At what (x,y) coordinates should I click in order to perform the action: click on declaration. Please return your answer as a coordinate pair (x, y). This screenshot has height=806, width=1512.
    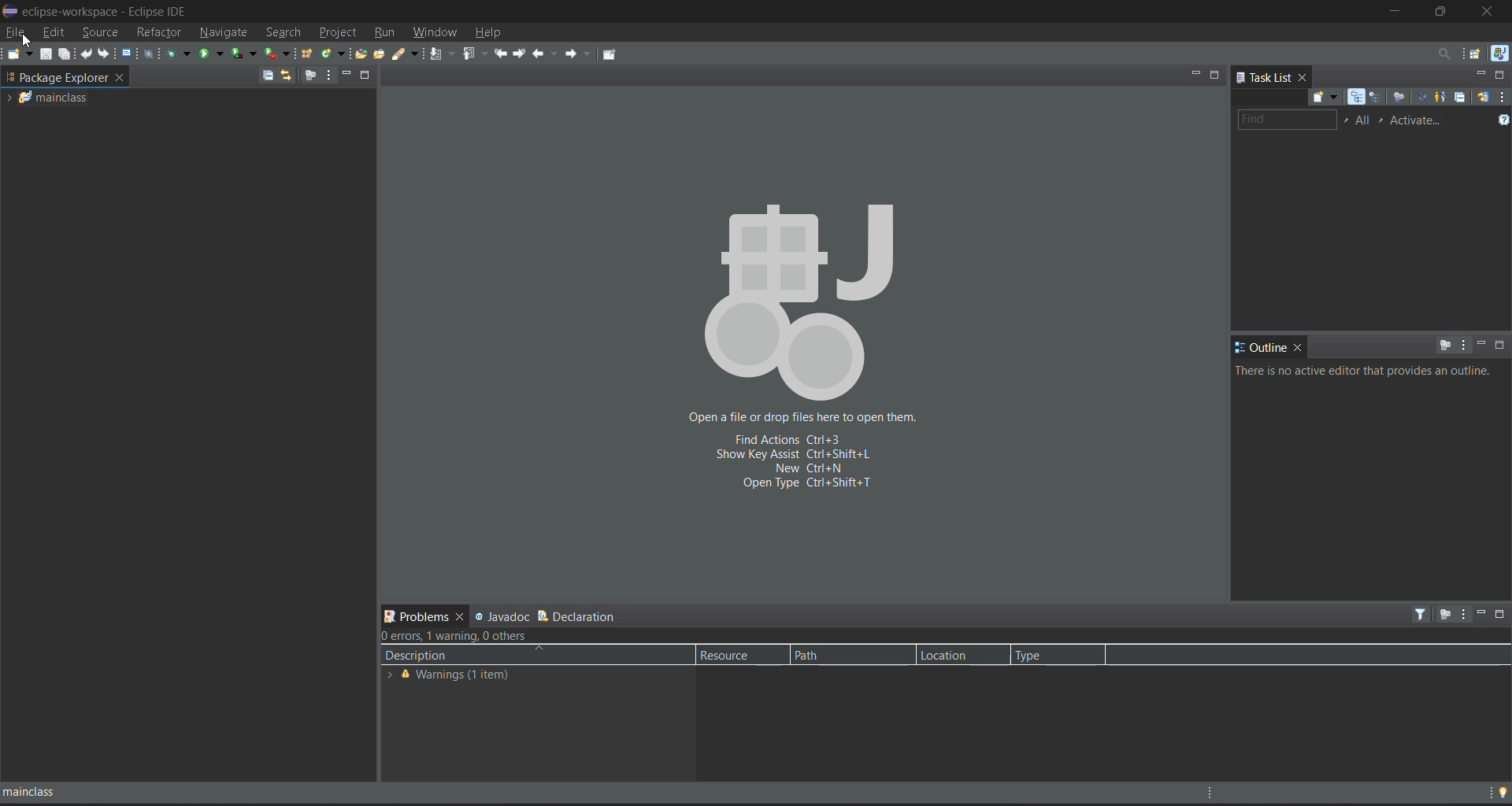
    Looking at the image, I should click on (584, 618).